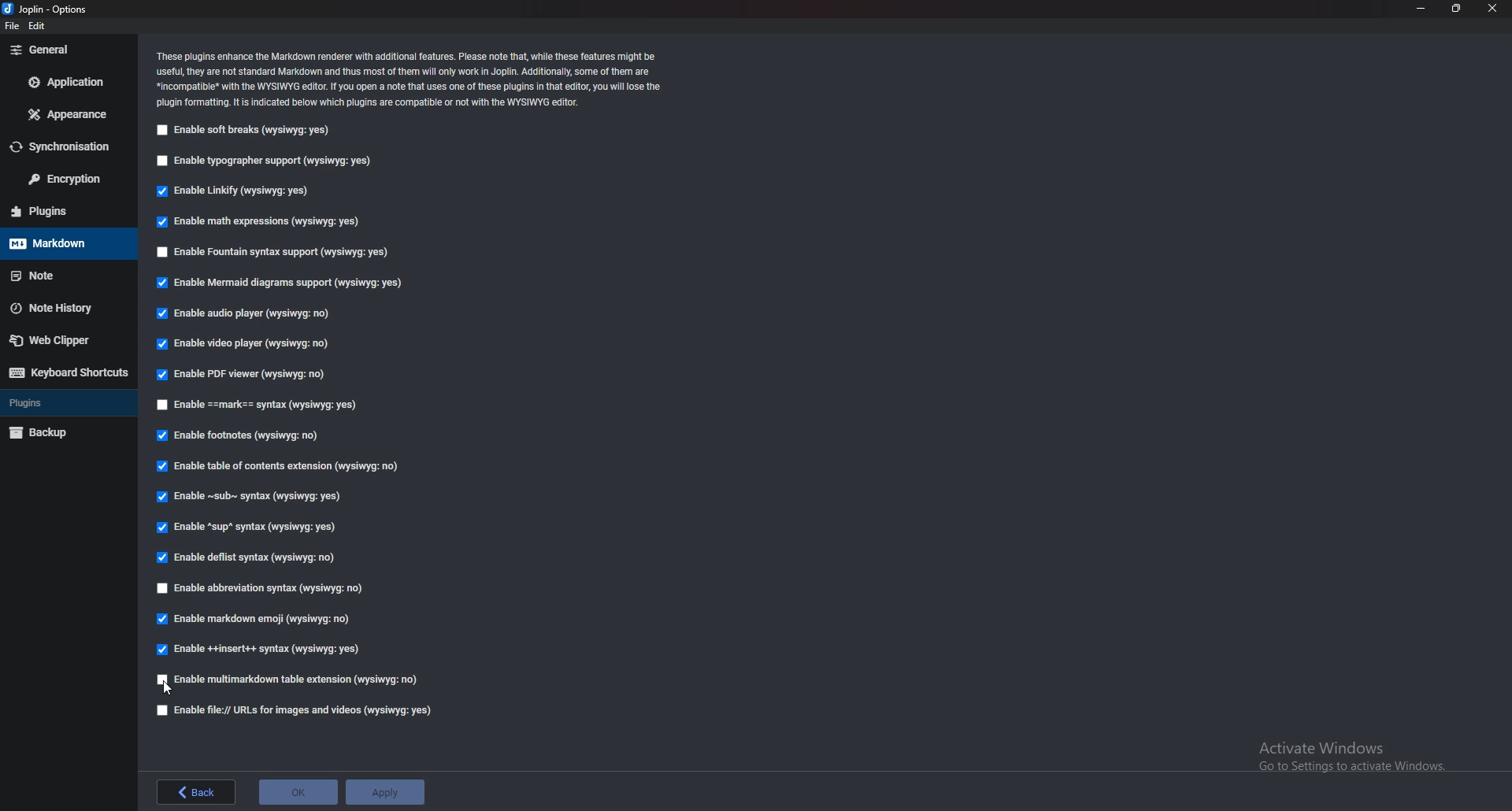 Image resolution: width=1512 pixels, height=811 pixels. What do you see at coordinates (63, 342) in the screenshot?
I see `Web clipper` at bounding box center [63, 342].